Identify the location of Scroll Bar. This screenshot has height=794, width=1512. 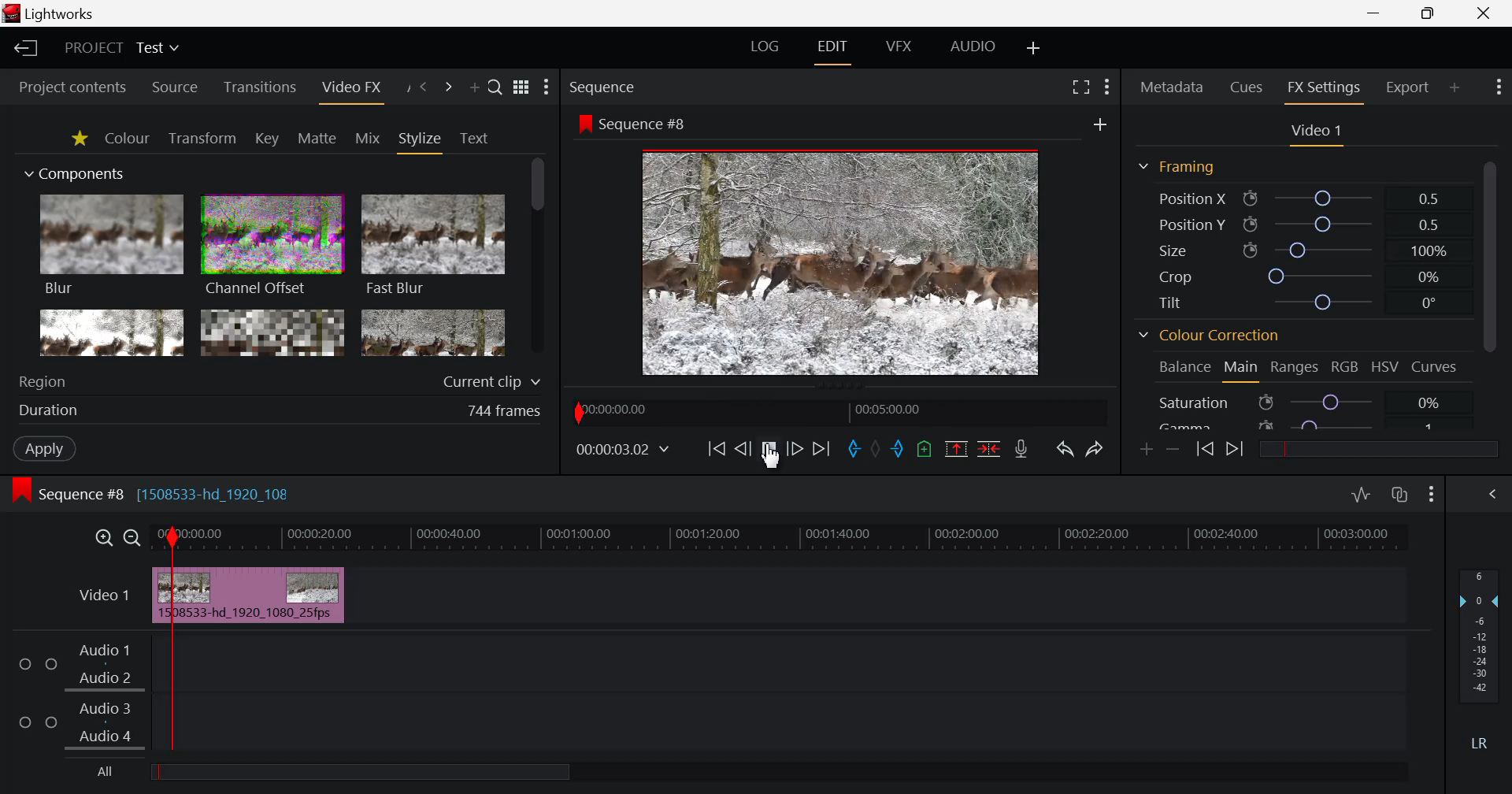
(1490, 291).